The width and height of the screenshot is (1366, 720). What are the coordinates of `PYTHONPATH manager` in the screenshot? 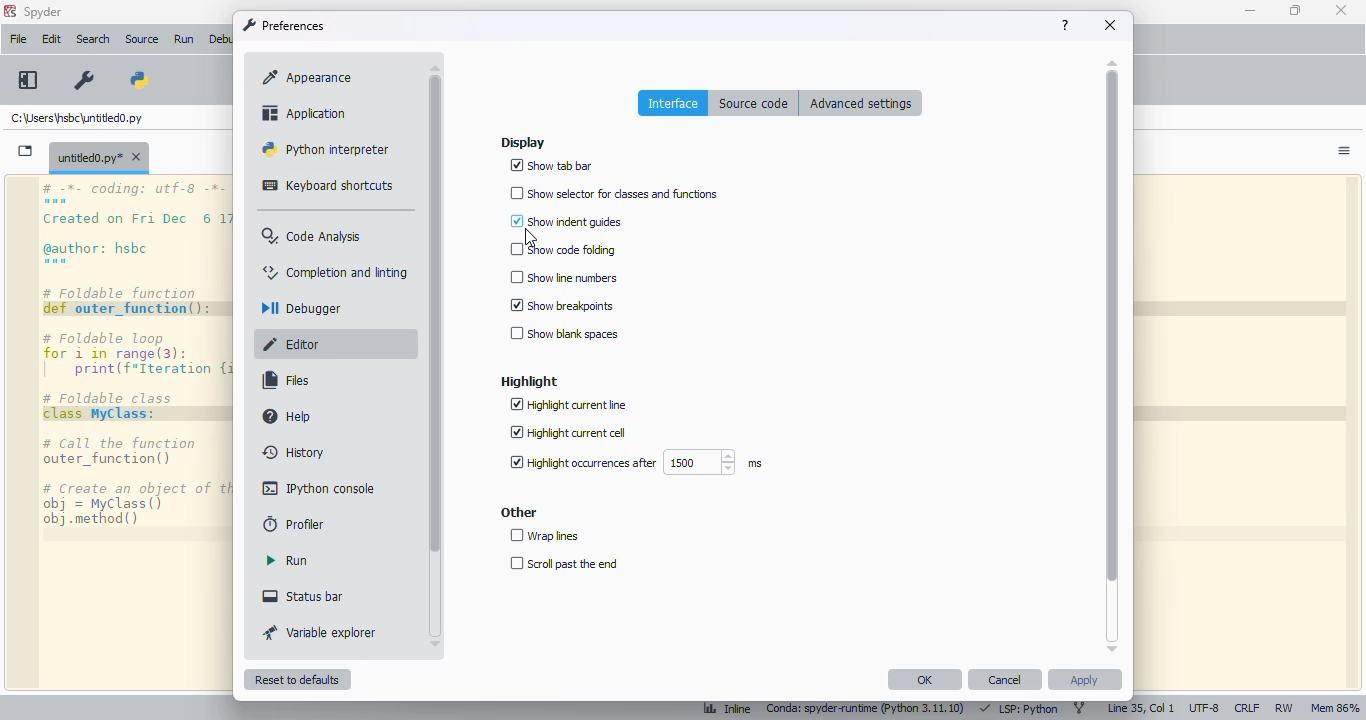 It's located at (143, 79).